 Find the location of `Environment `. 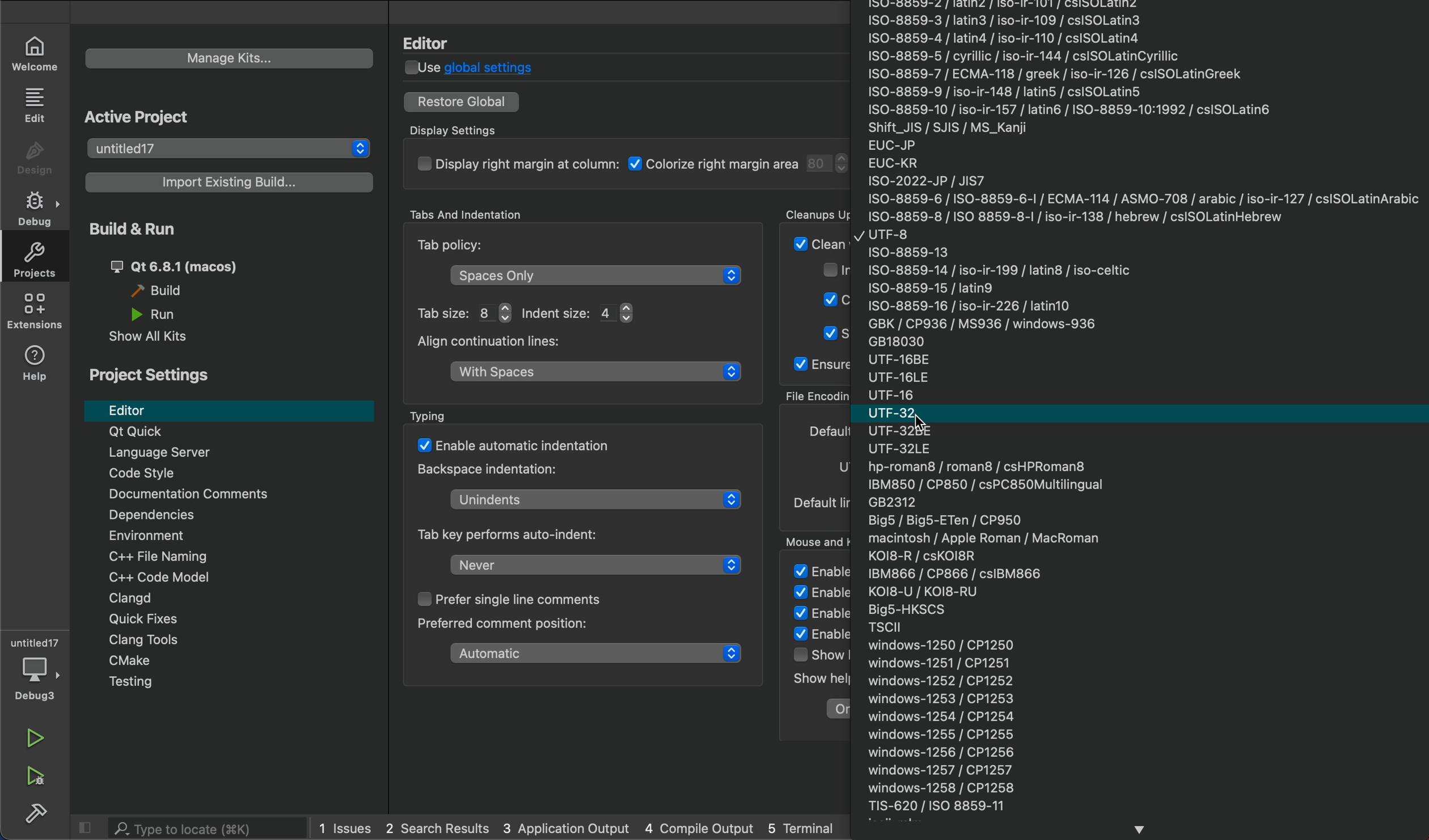

Environment  is located at coordinates (223, 536).